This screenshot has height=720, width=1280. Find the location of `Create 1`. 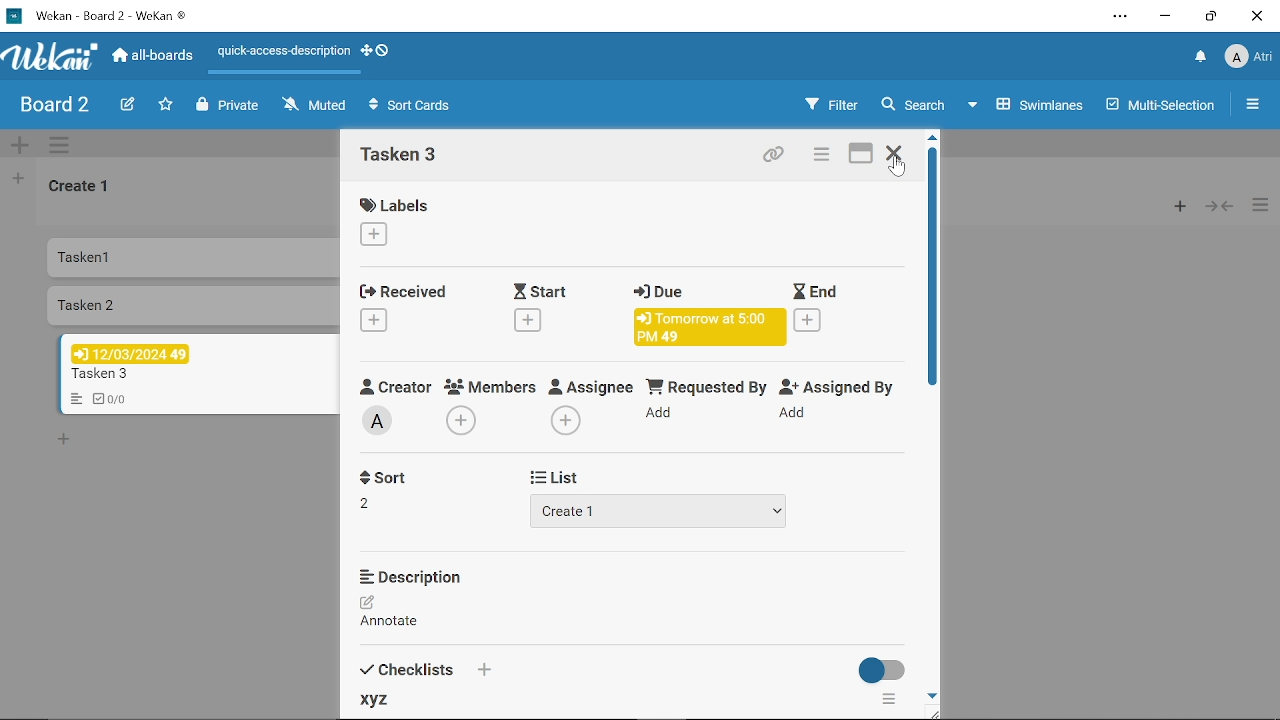

Create 1 is located at coordinates (660, 512).